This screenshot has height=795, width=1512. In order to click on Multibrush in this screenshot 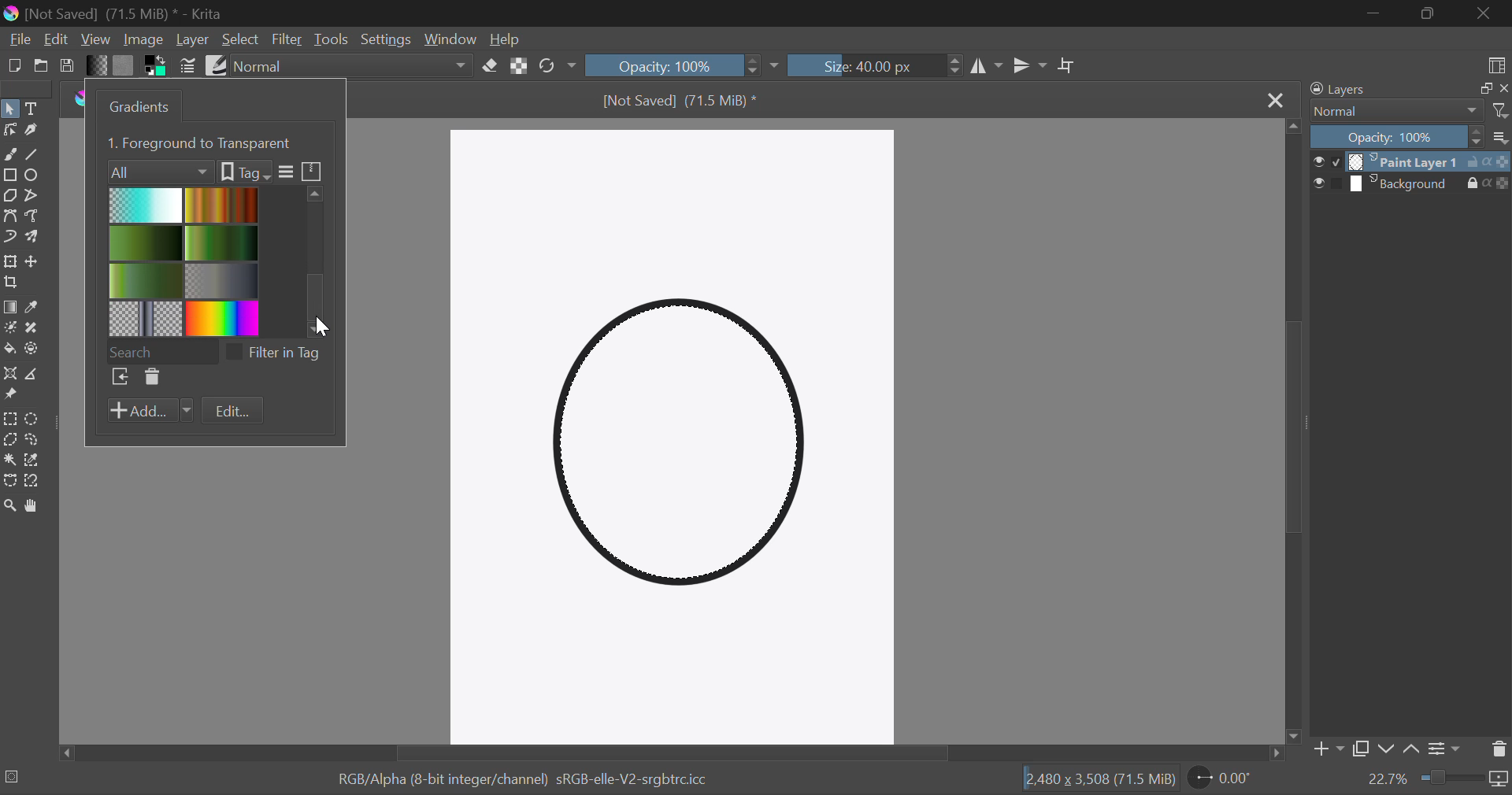, I will do `click(34, 238)`.